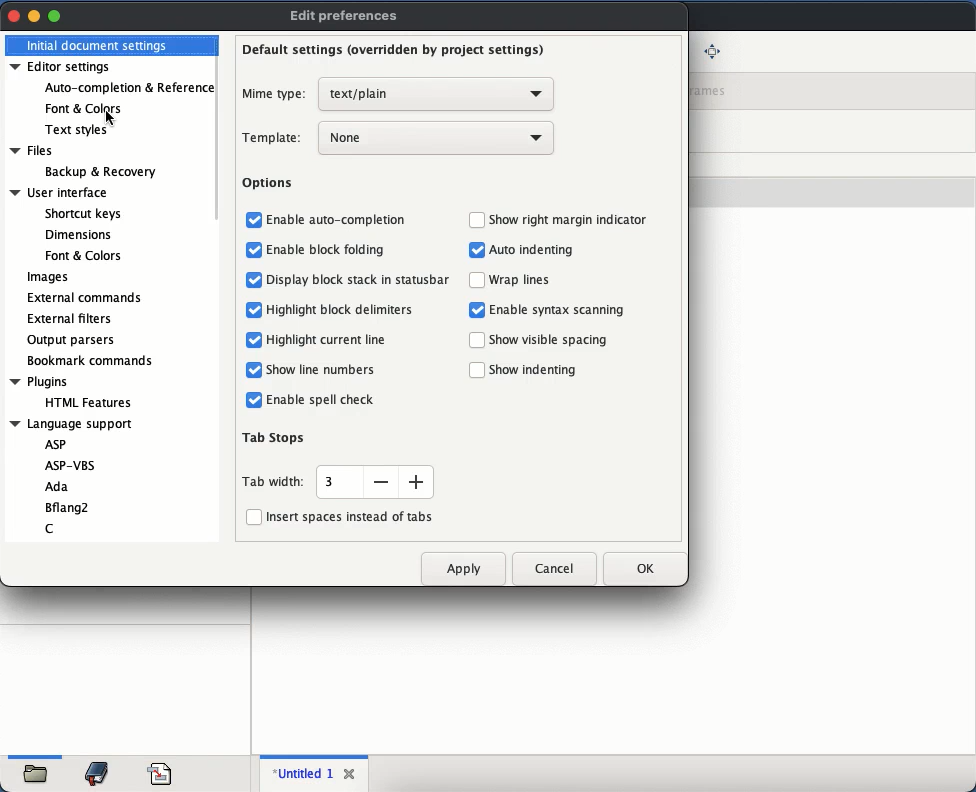  I want to click on checkbox, so click(476, 341).